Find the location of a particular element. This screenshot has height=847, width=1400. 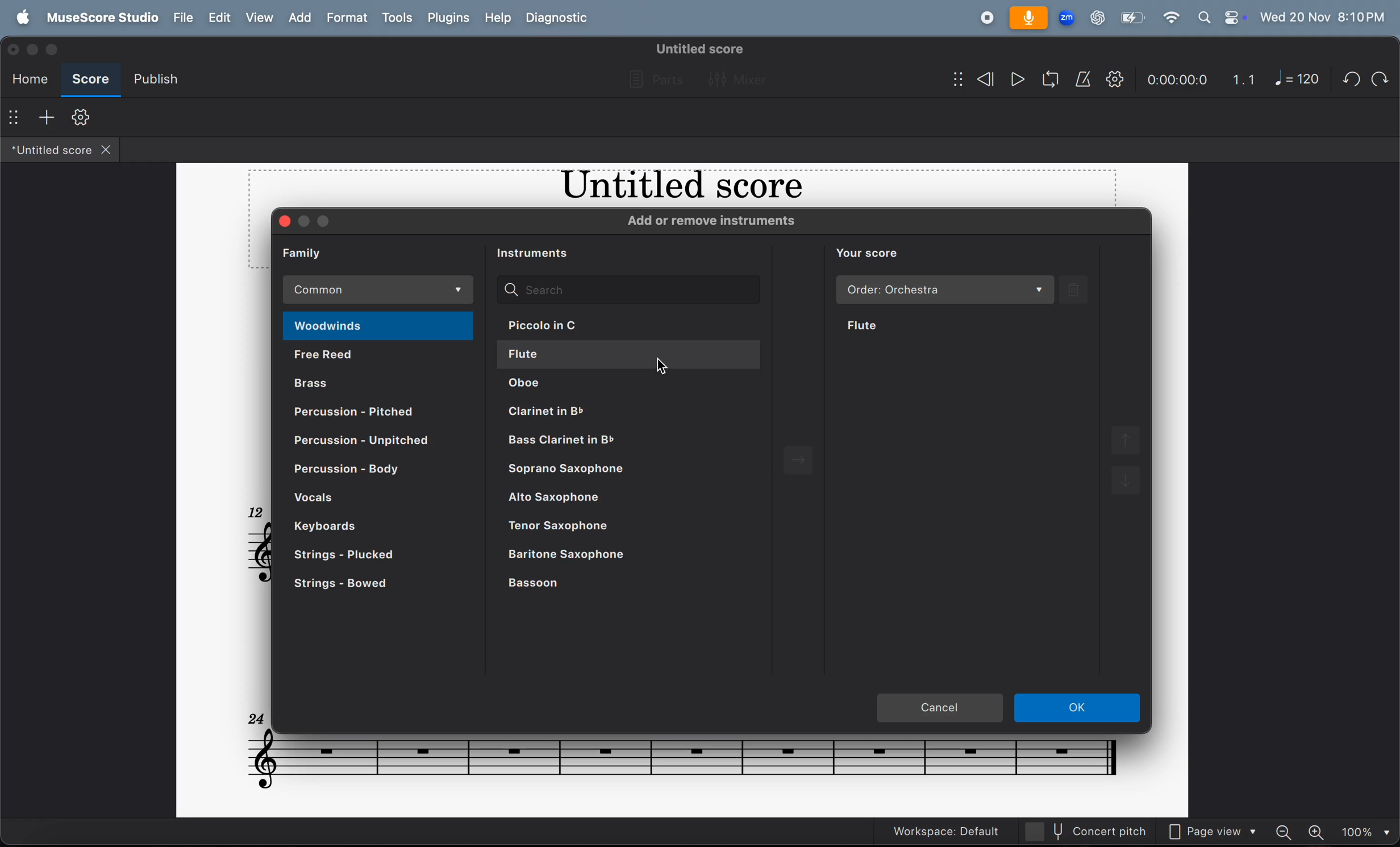

score is located at coordinates (93, 77).